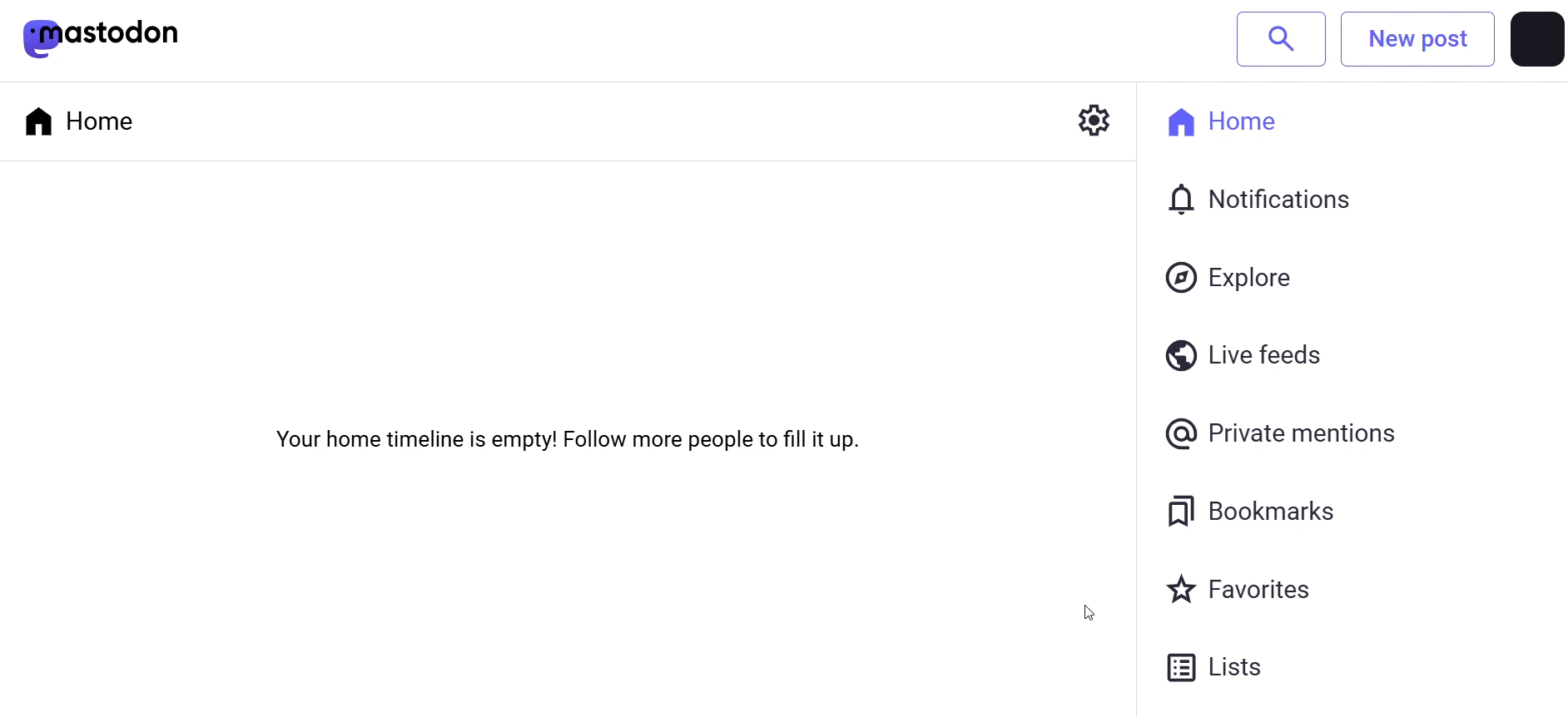 Image resolution: width=1568 pixels, height=717 pixels. I want to click on home , so click(1229, 123).